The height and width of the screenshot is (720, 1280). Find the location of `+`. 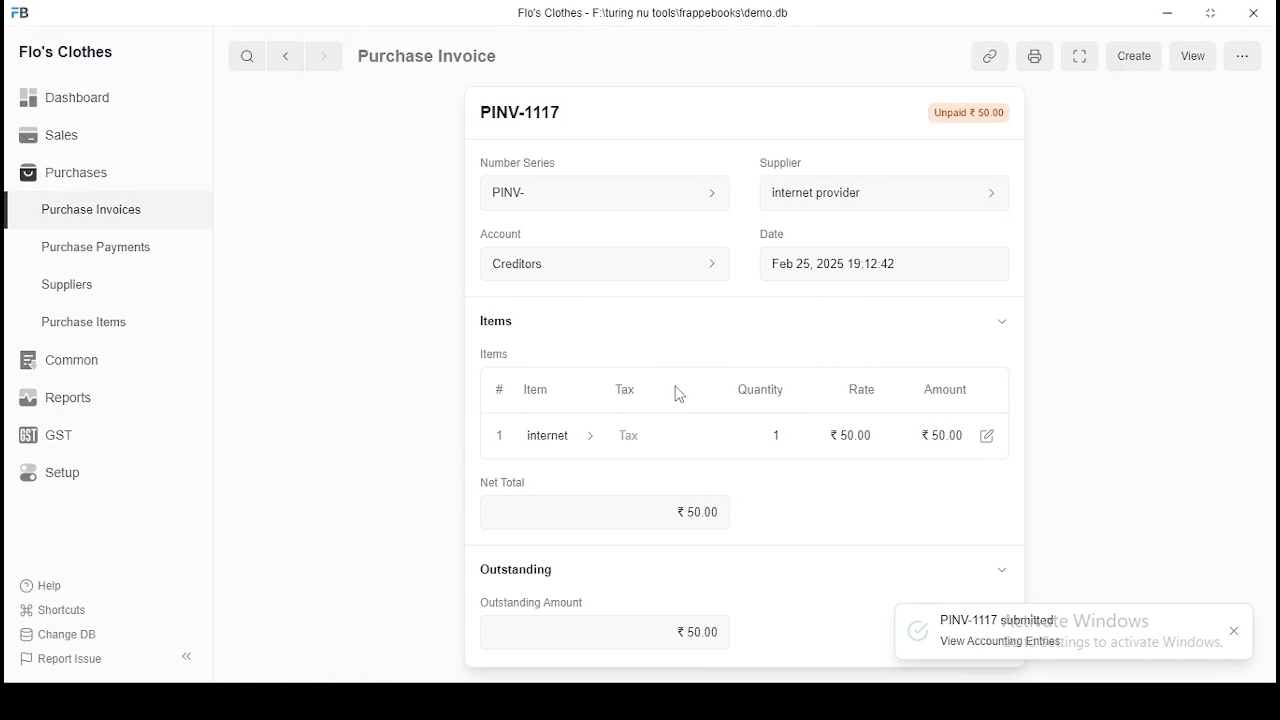

+ is located at coordinates (499, 437).